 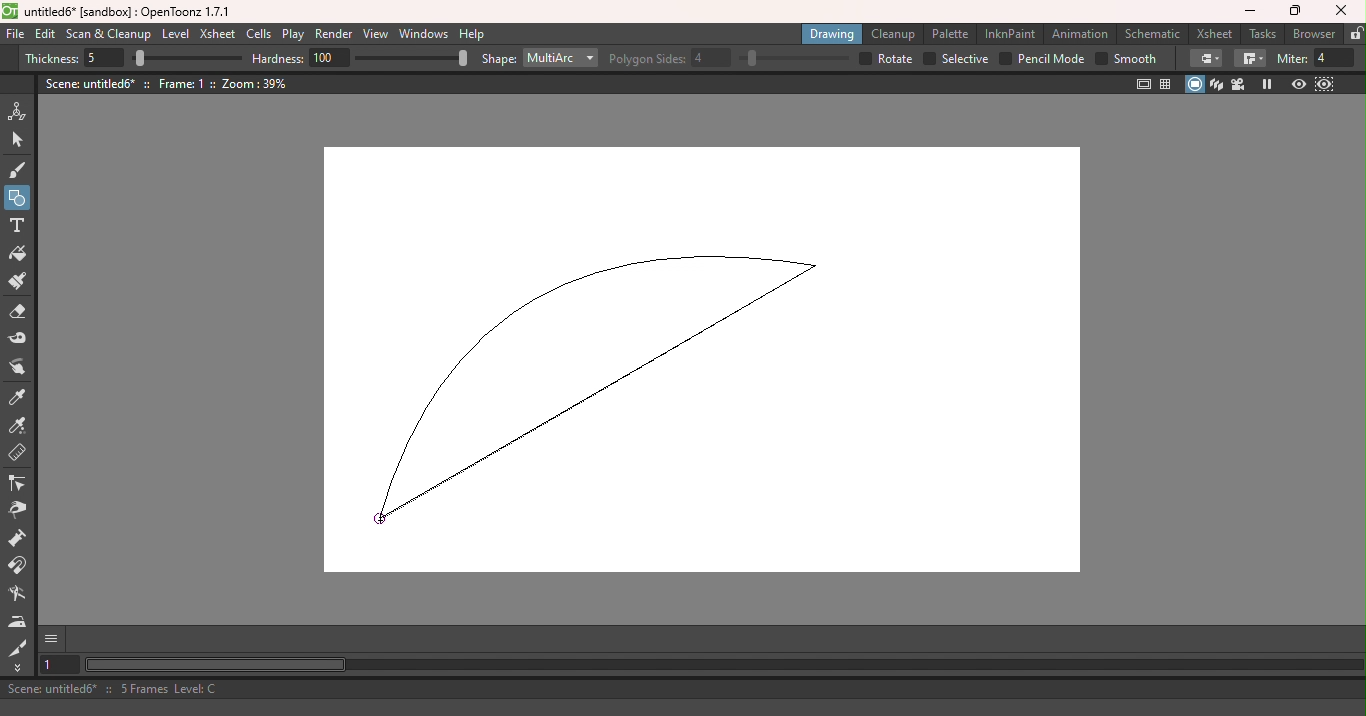 I want to click on Scene: untitled6* :: Frame: 1 :: Zoom: 39%, so click(x=167, y=83).